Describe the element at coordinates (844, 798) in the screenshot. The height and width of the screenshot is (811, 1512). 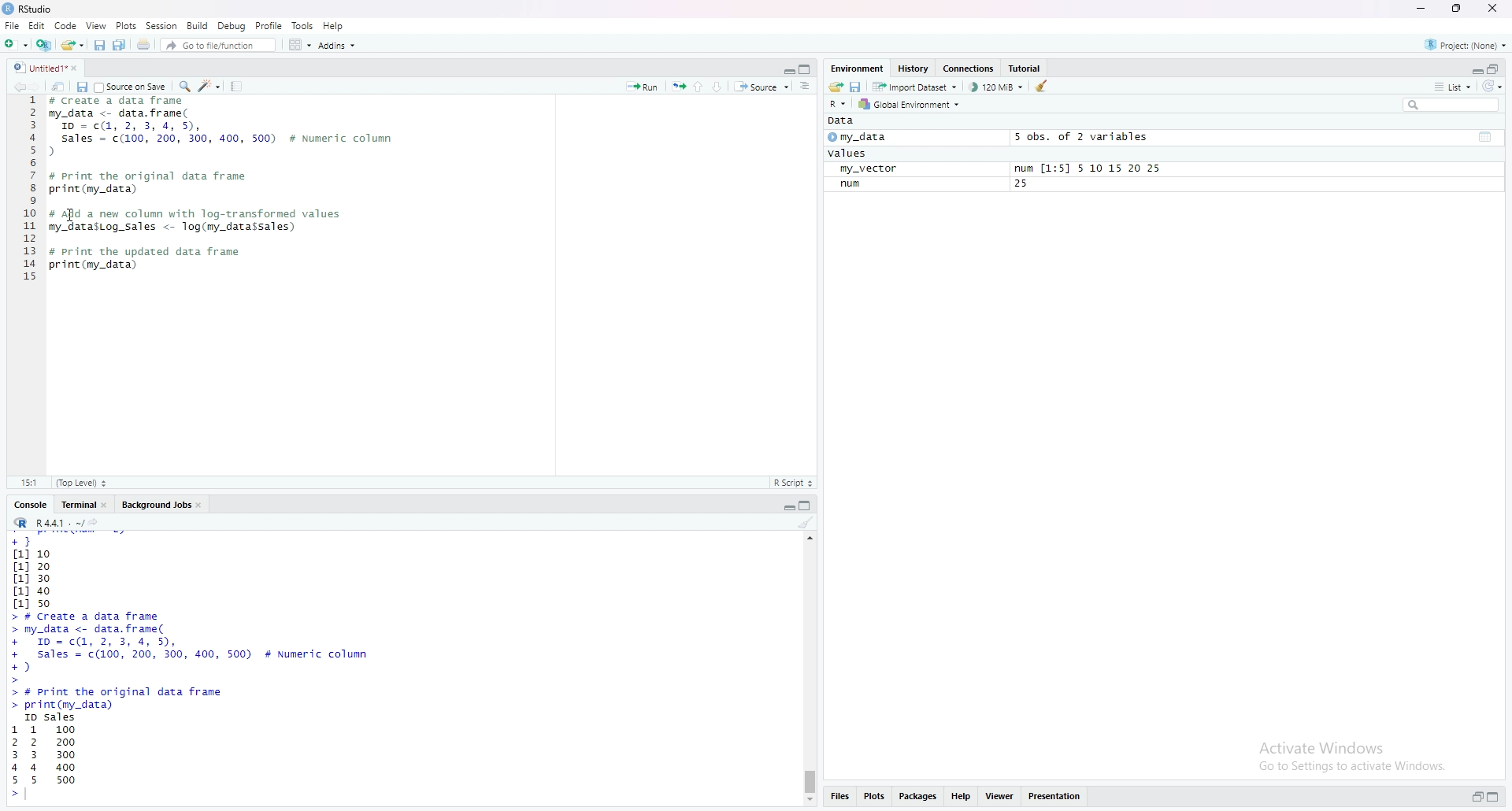
I see `files` at that location.